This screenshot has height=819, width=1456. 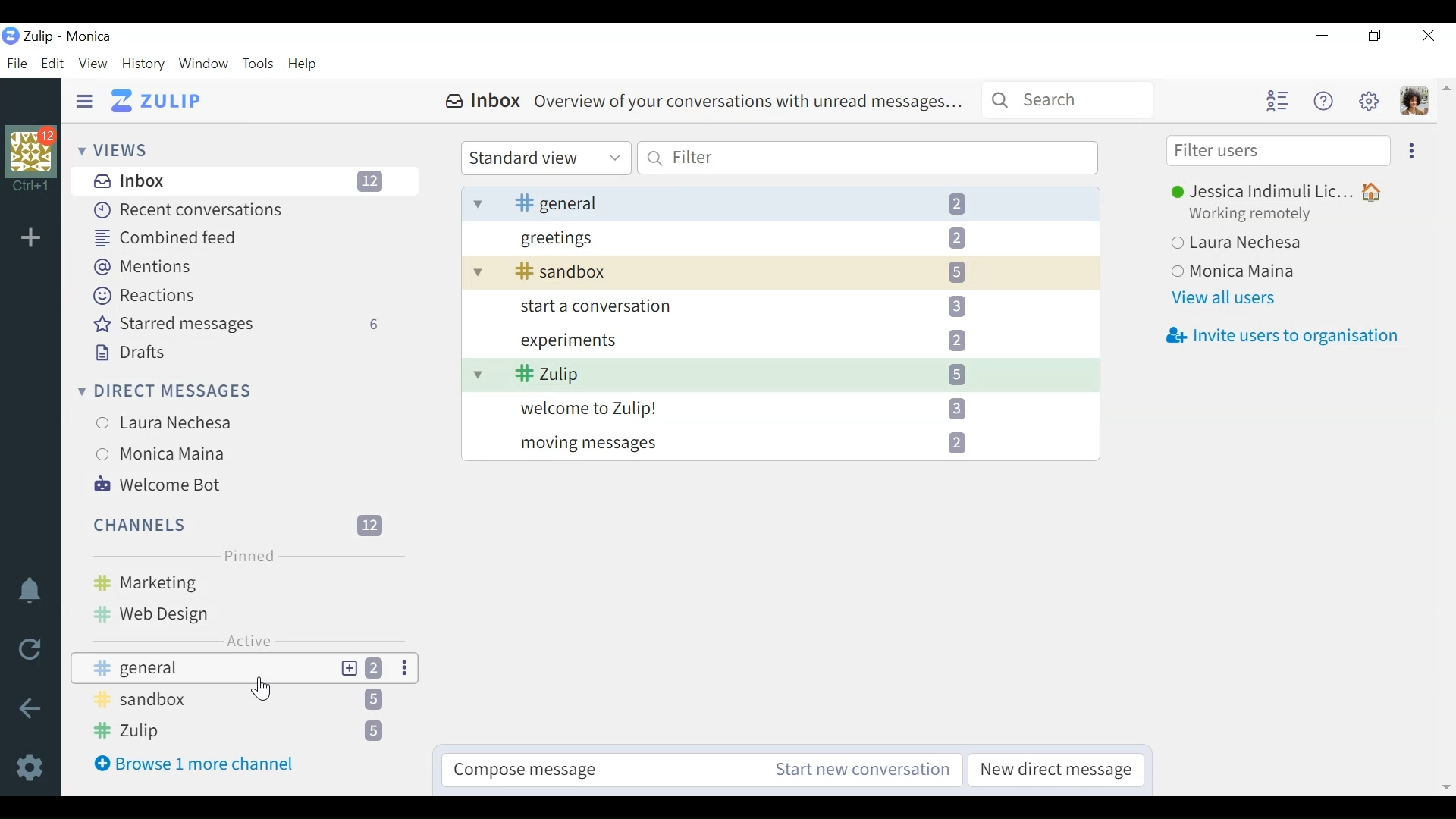 I want to click on Profile, so click(x=1414, y=101).